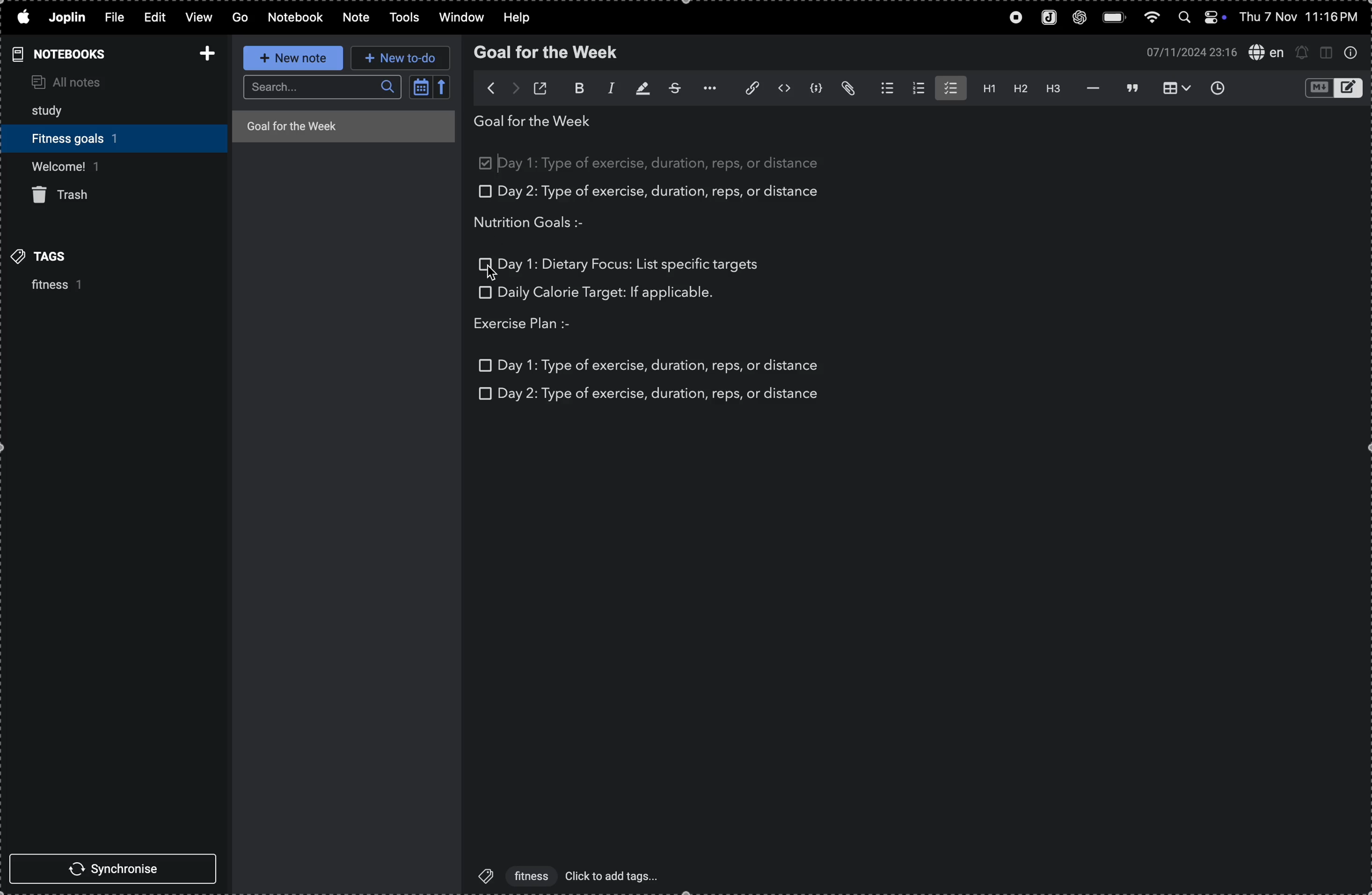 This screenshot has height=895, width=1372. I want to click on checkbox, so click(484, 393).